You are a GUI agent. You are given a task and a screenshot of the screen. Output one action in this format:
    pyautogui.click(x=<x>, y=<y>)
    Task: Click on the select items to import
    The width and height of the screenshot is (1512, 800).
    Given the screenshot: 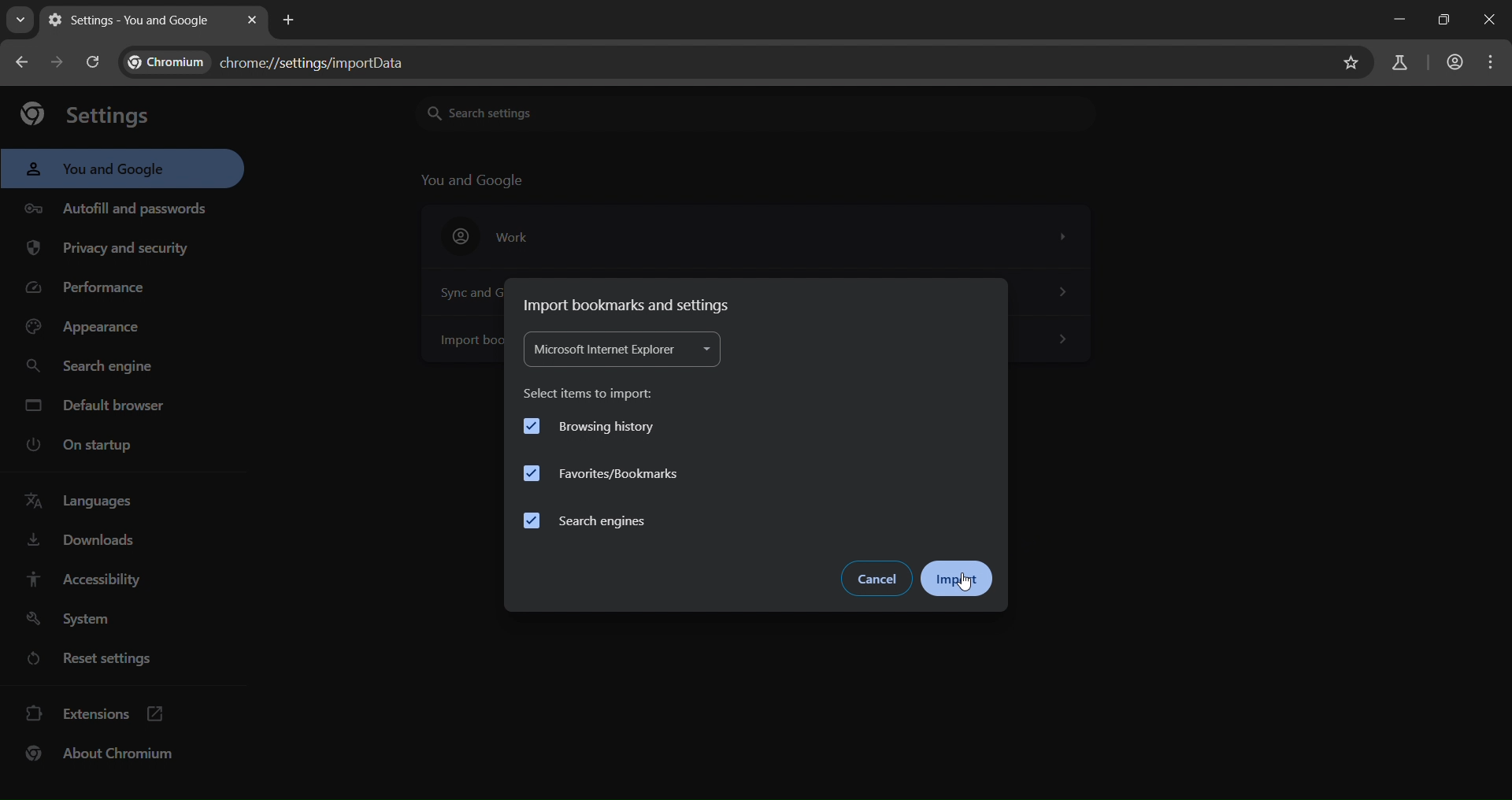 What is the action you would take?
    pyautogui.click(x=592, y=390)
    